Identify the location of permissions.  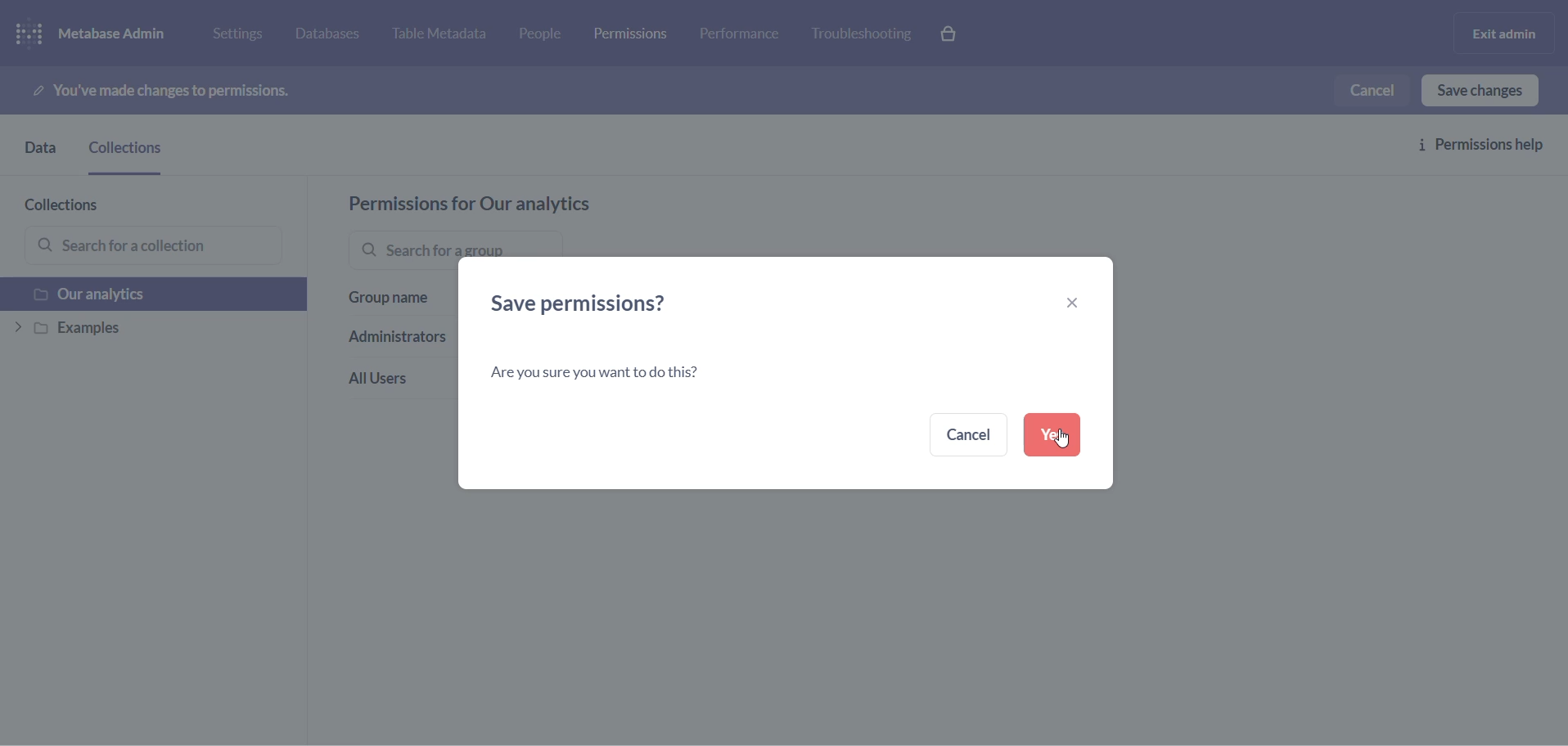
(636, 32).